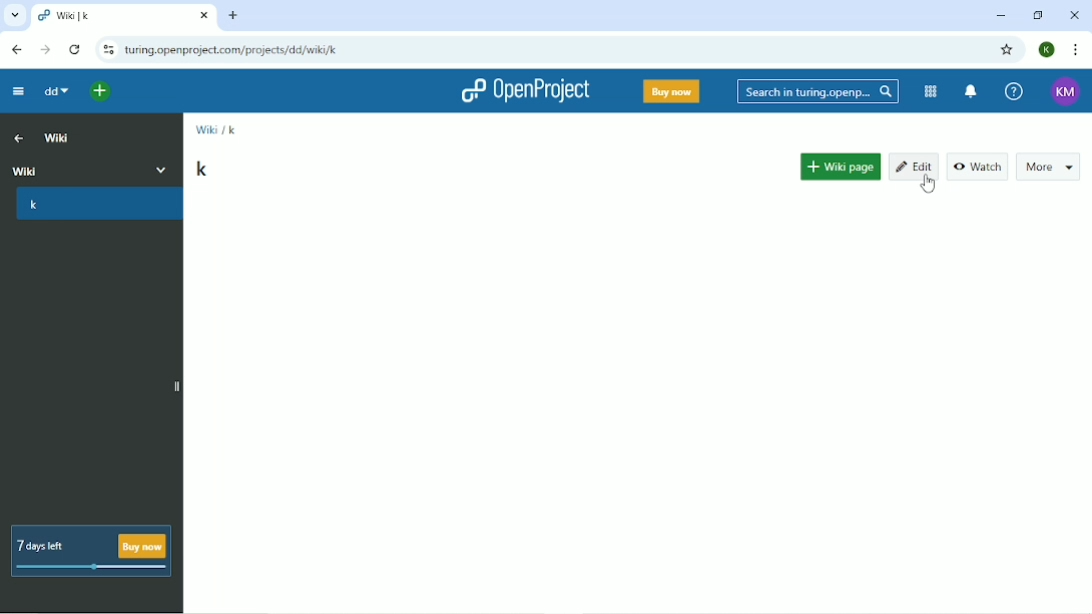 The height and width of the screenshot is (614, 1092). I want to click on close, so click(198, 14).